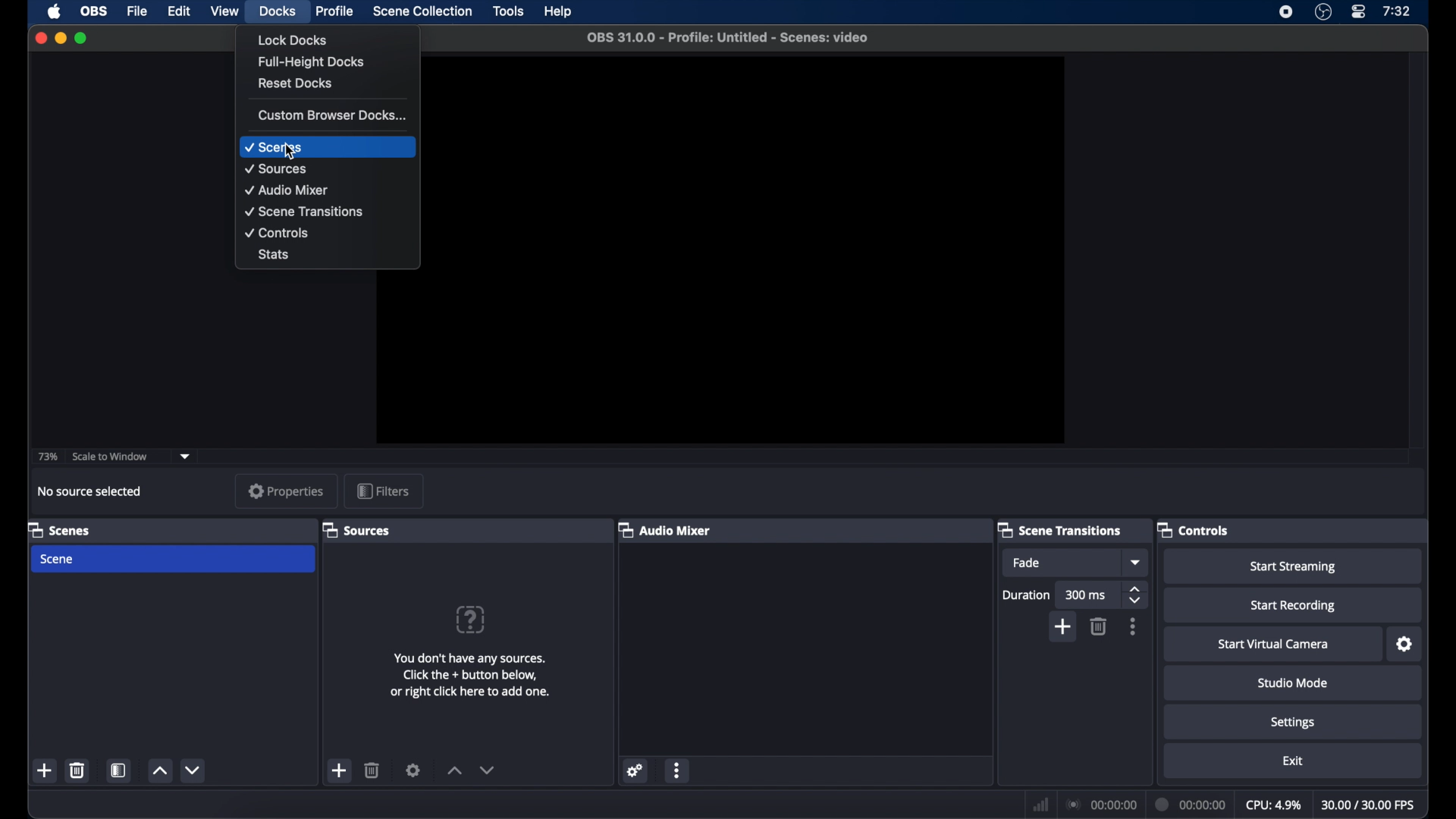  I want to click on start streaming, so click(1293, 566).